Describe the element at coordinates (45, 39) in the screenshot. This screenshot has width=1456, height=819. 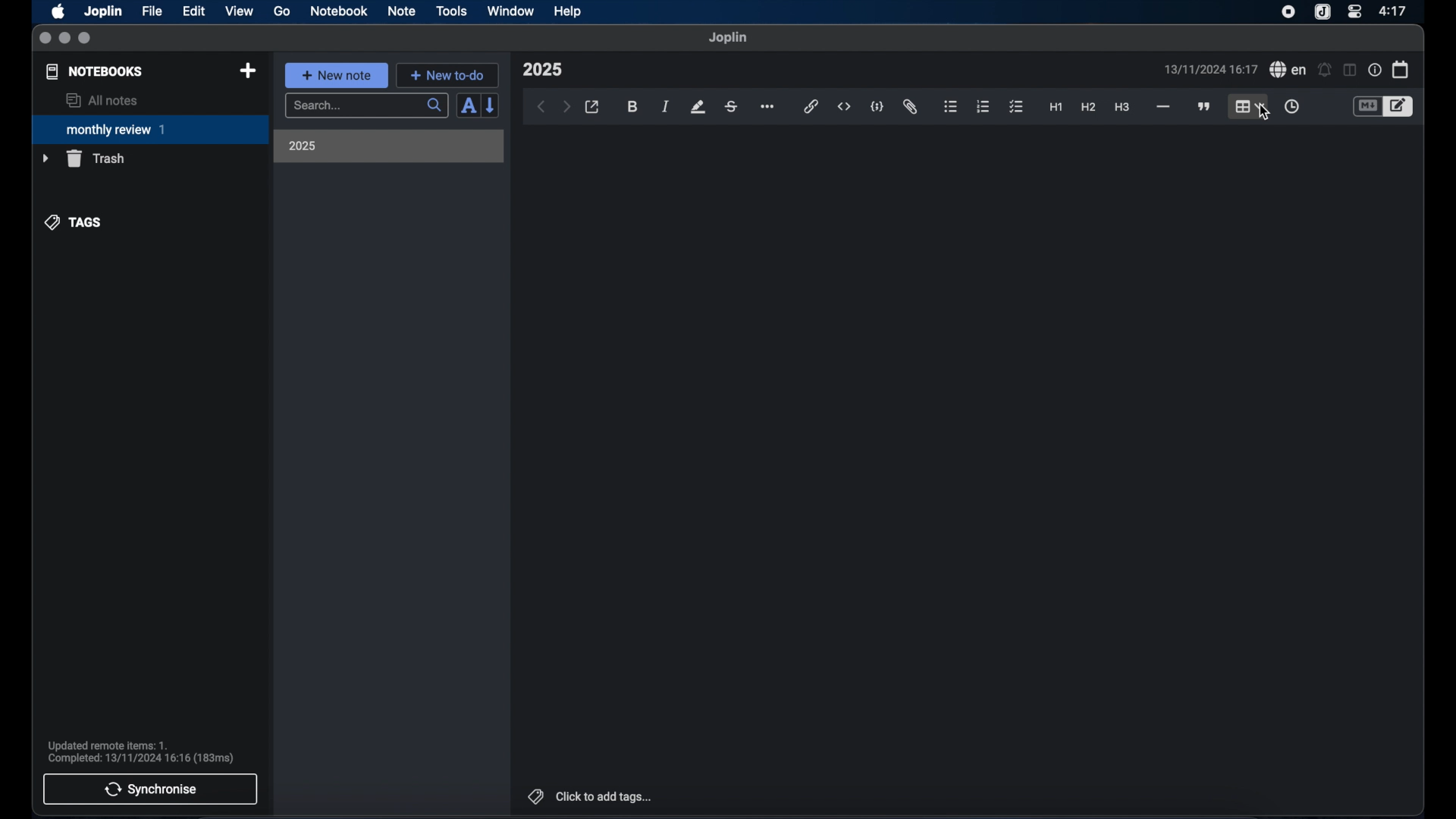
I see `close` at that location.